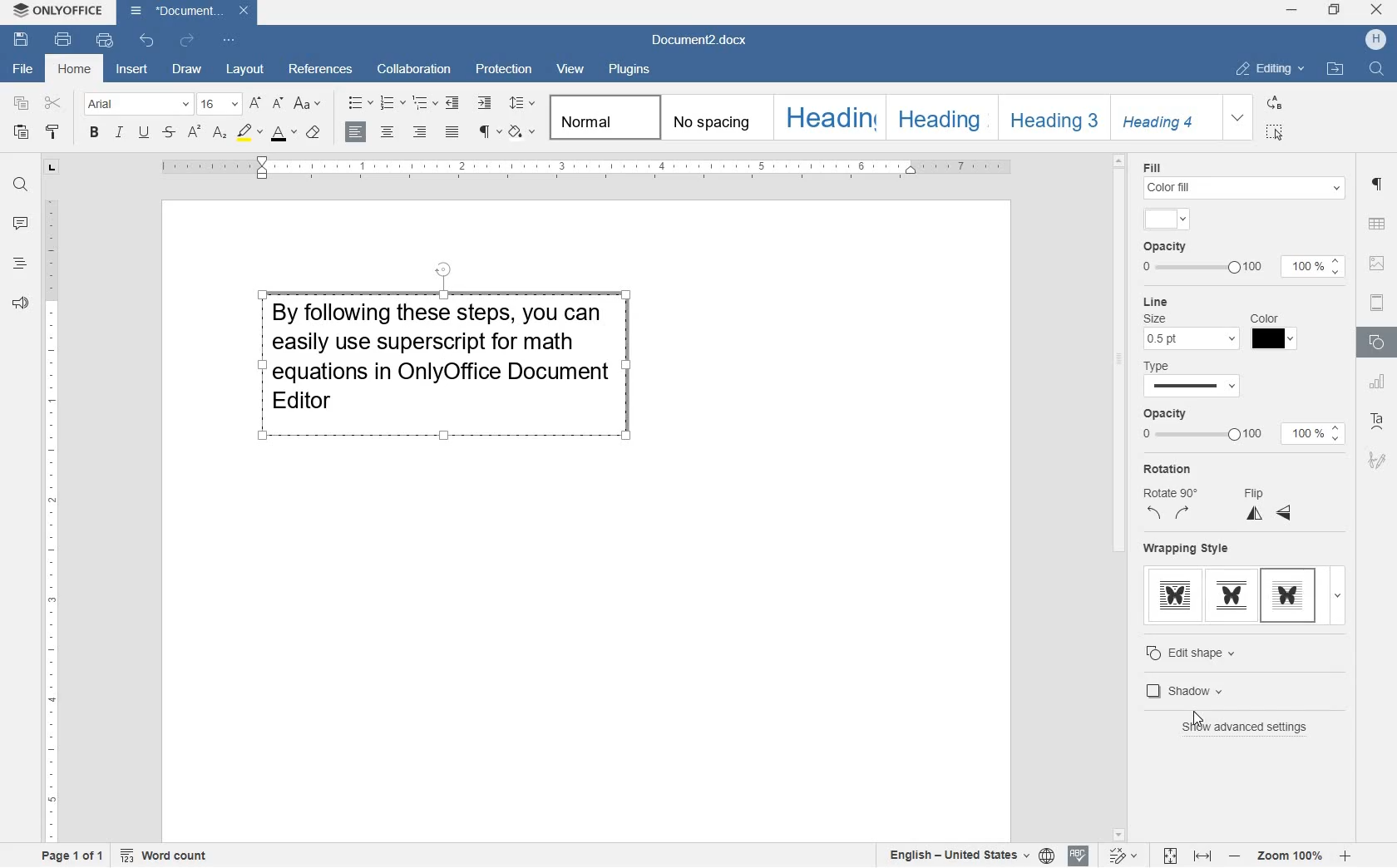  I want to click on text art, so click(1377, 423).